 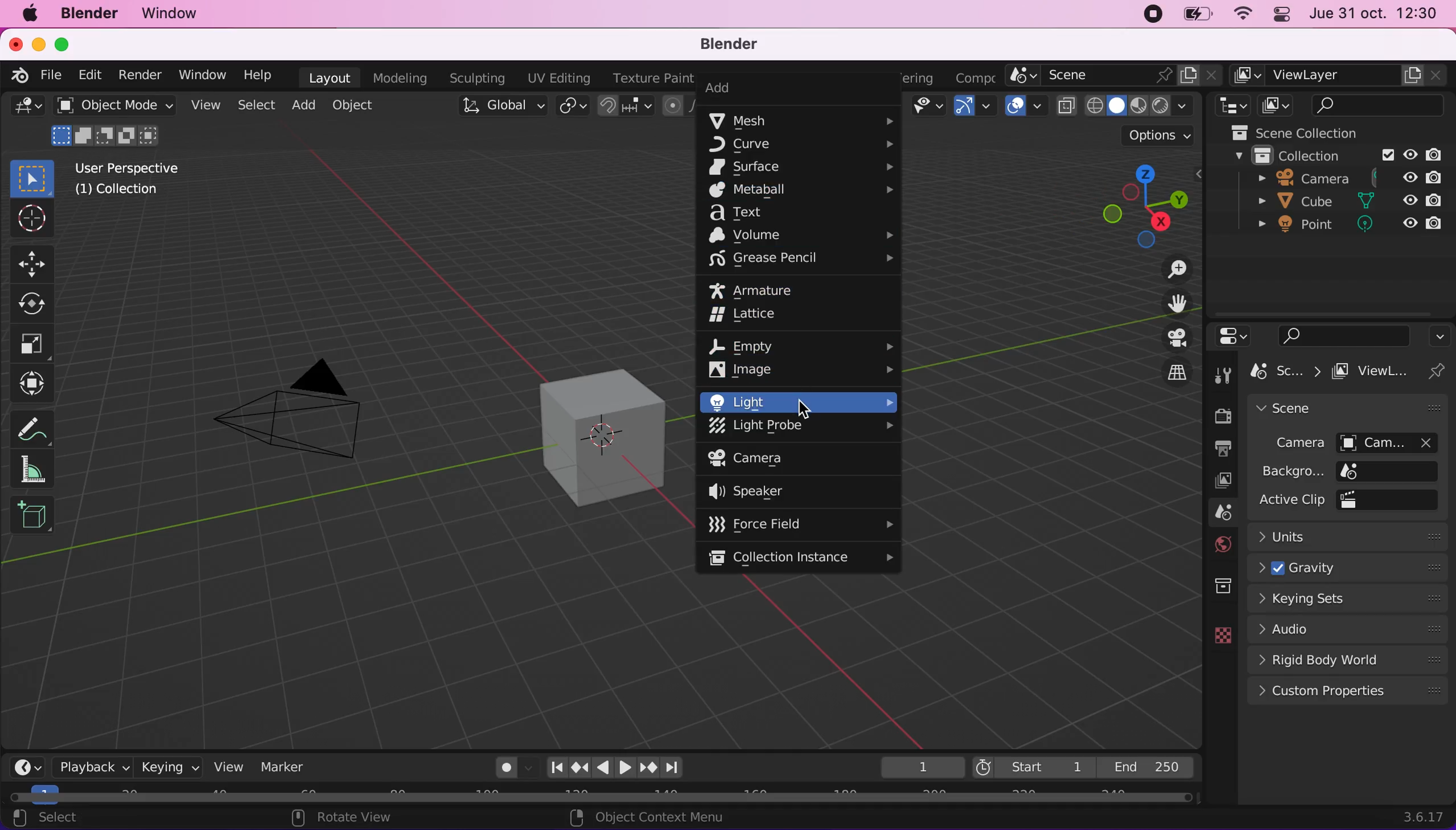 What do you see at coordinates (800, 235) in the screenshot?
I see `volume` at bounding box center [800, 235].